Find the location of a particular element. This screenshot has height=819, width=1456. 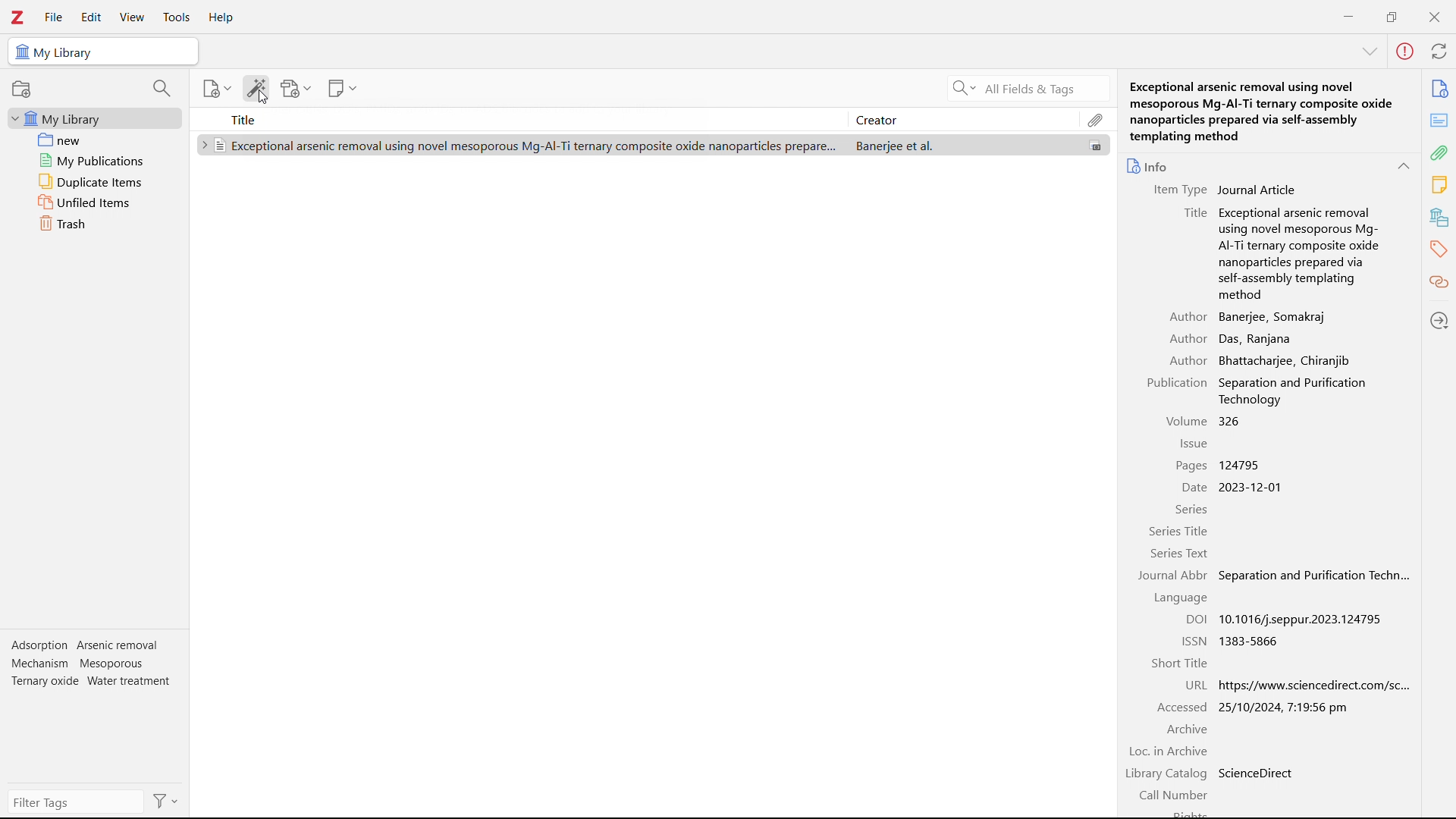

Library catalogue is located at coordinates (1168, 775).